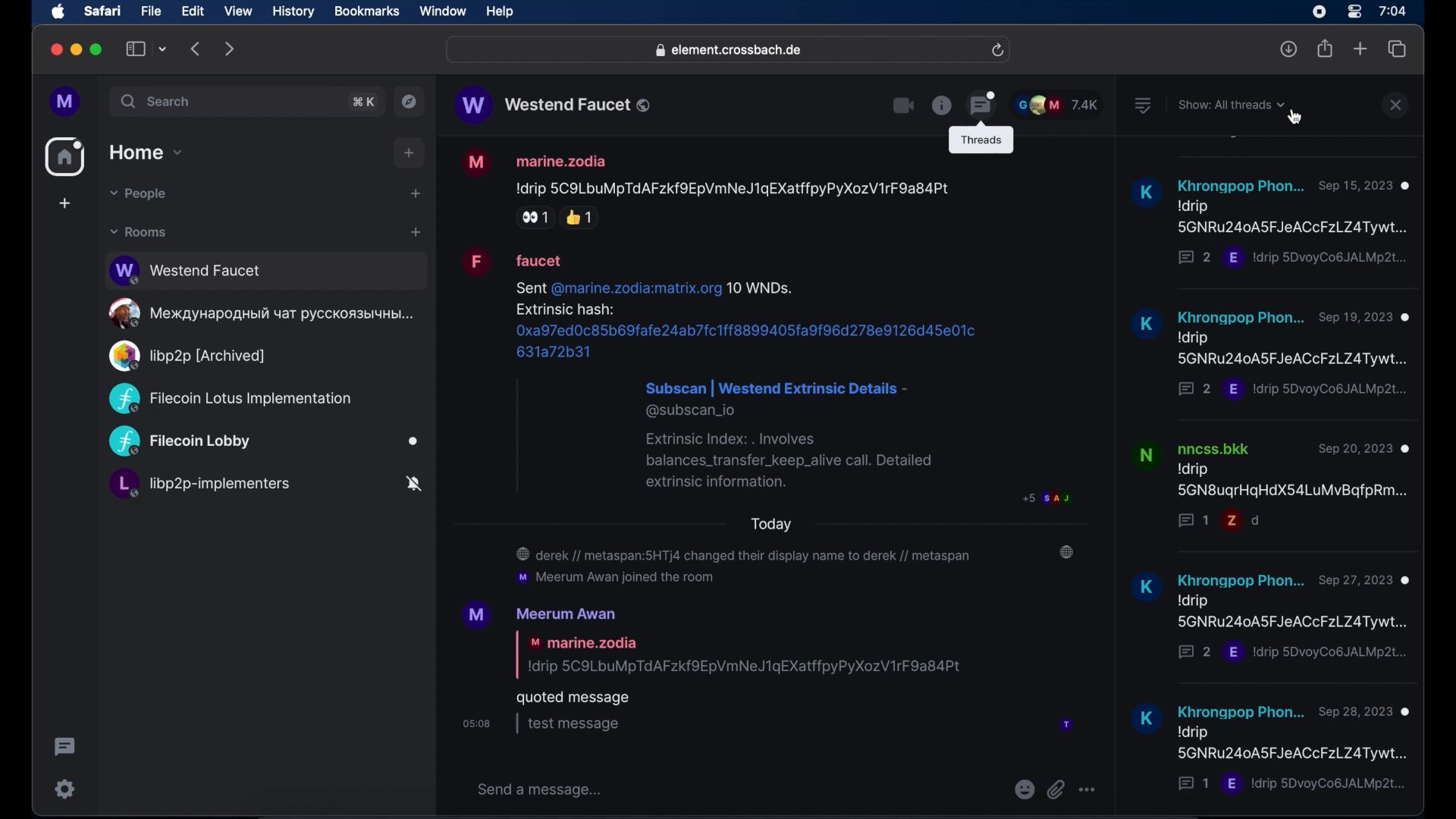 The image size is (1456, 819). What do you see at coordinates (365, 11) in the screenshot?
I see `bookmarks` at bounding box center [365, 11].